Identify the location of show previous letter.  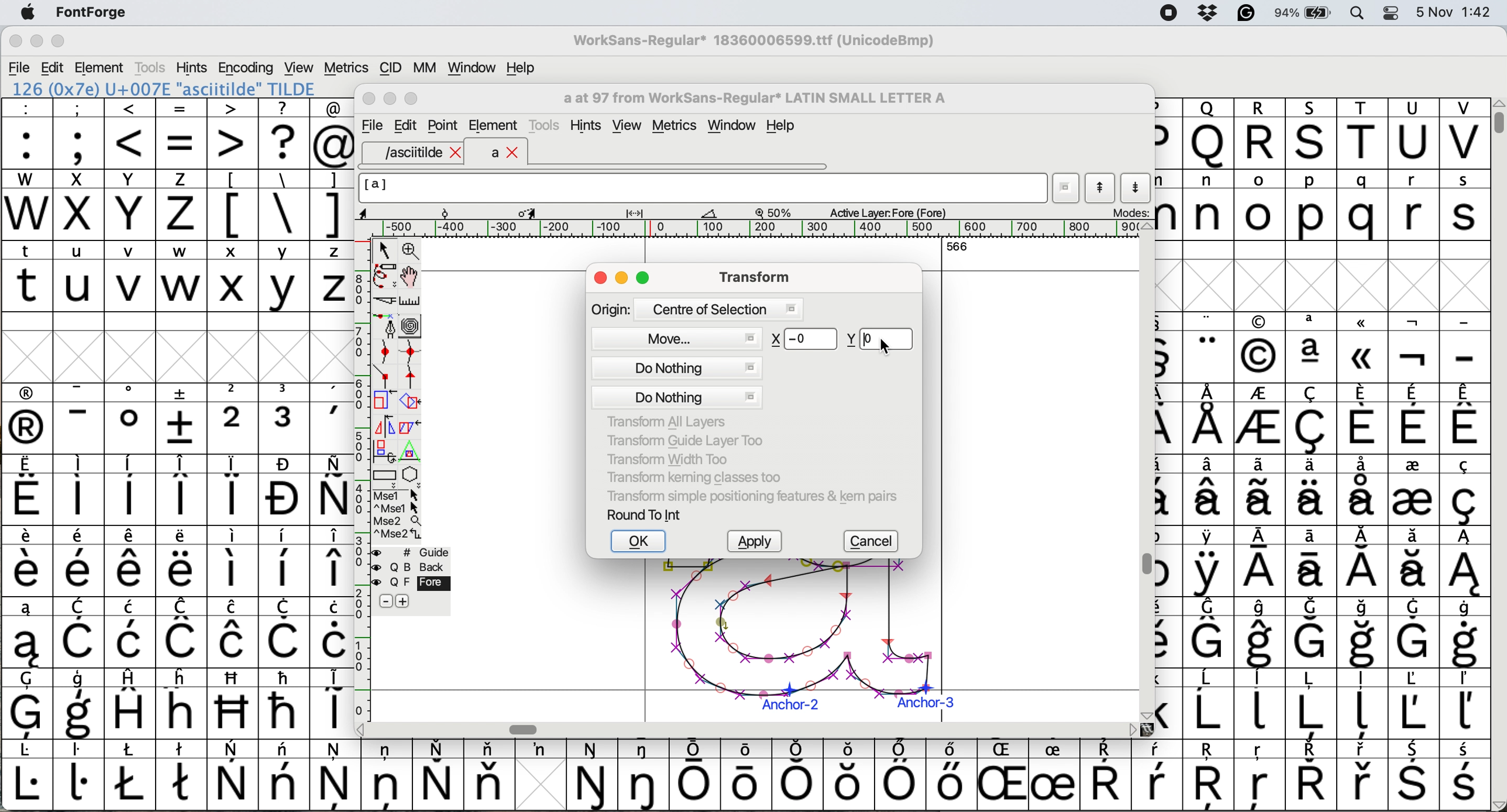
(1100, 188).